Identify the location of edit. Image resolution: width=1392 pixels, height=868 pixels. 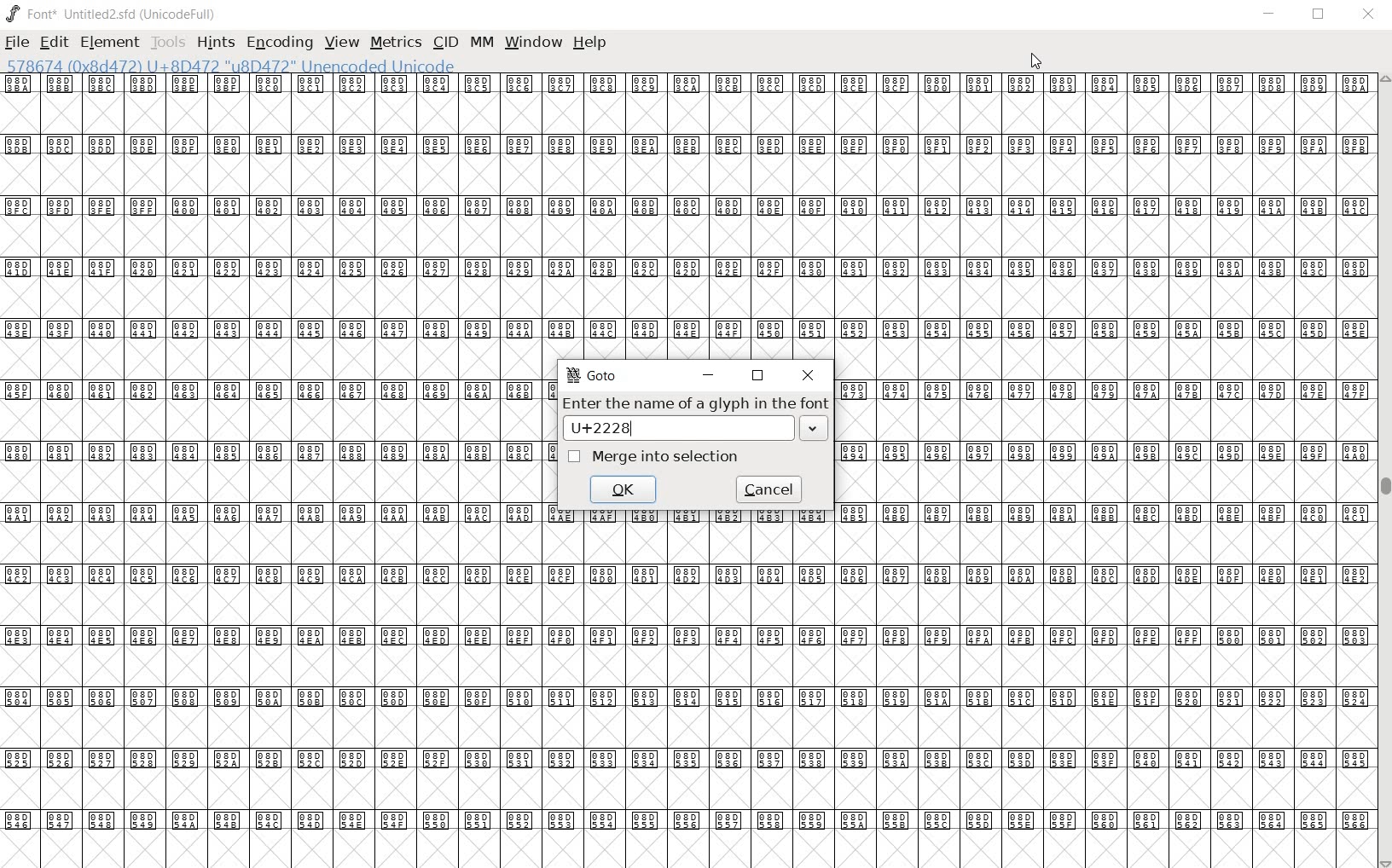
(55, 42).